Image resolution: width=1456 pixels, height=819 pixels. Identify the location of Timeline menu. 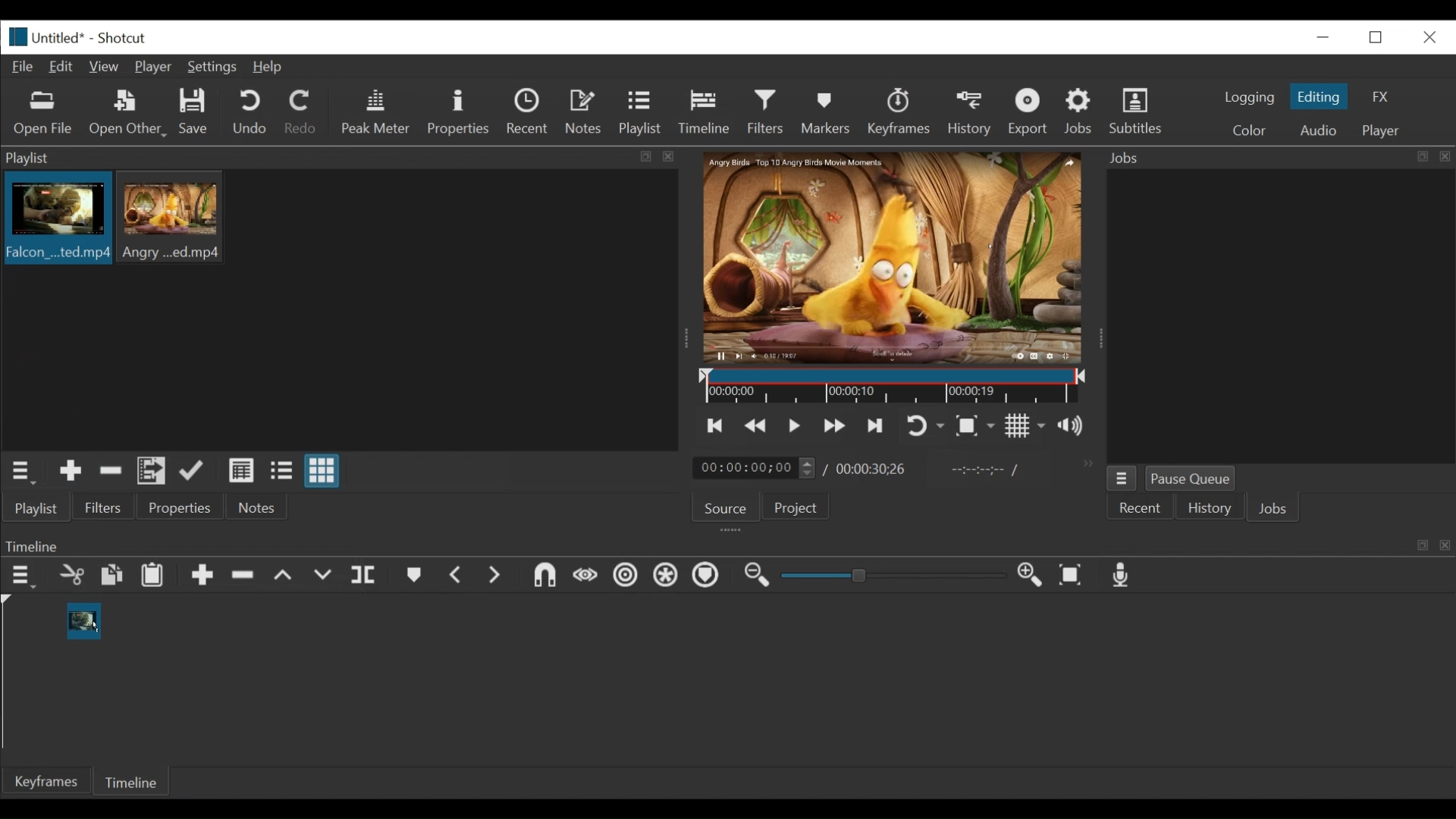
(25, 576).